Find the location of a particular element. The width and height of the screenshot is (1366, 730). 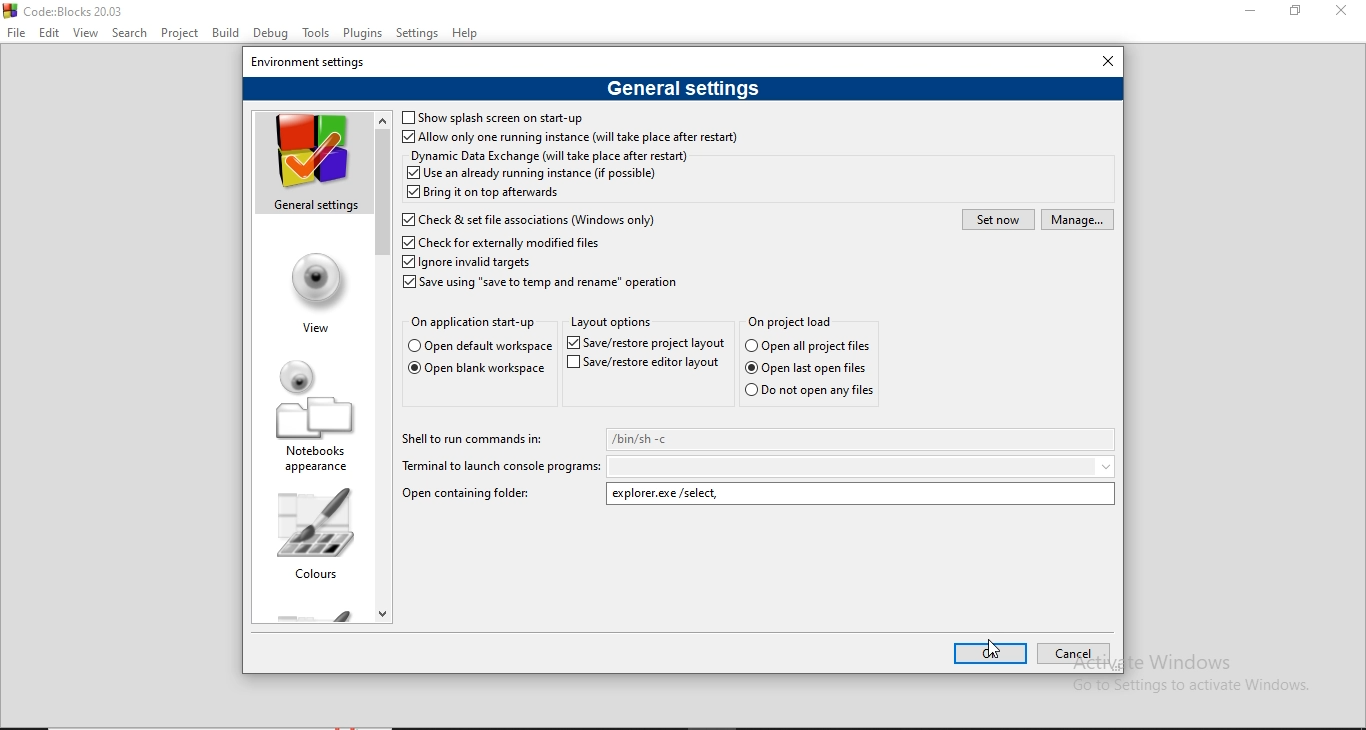

notebooks appearance is located at coordinates (309, 415).